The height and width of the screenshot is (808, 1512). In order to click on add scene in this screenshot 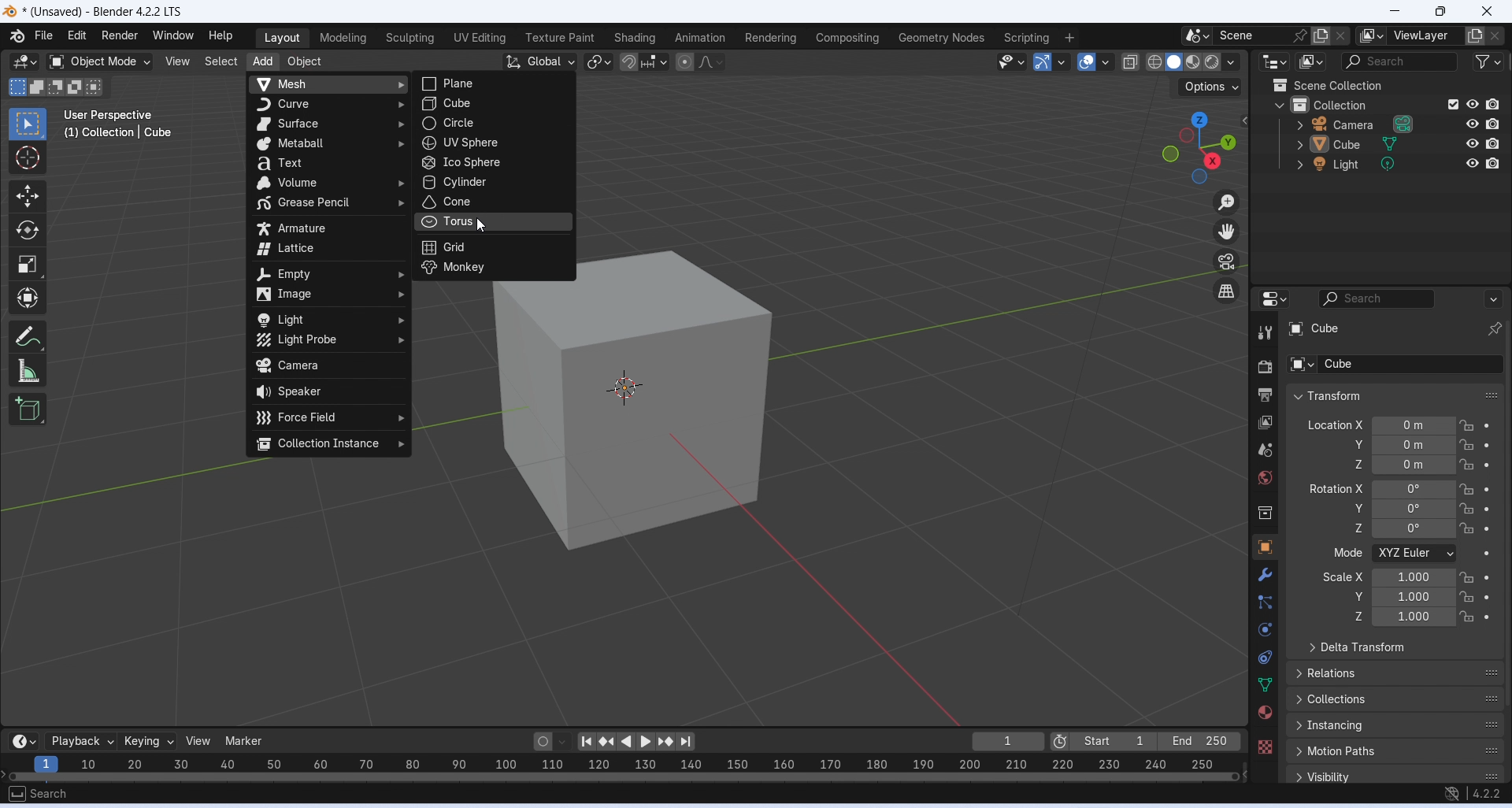, I will do `click(1321, 37)`.